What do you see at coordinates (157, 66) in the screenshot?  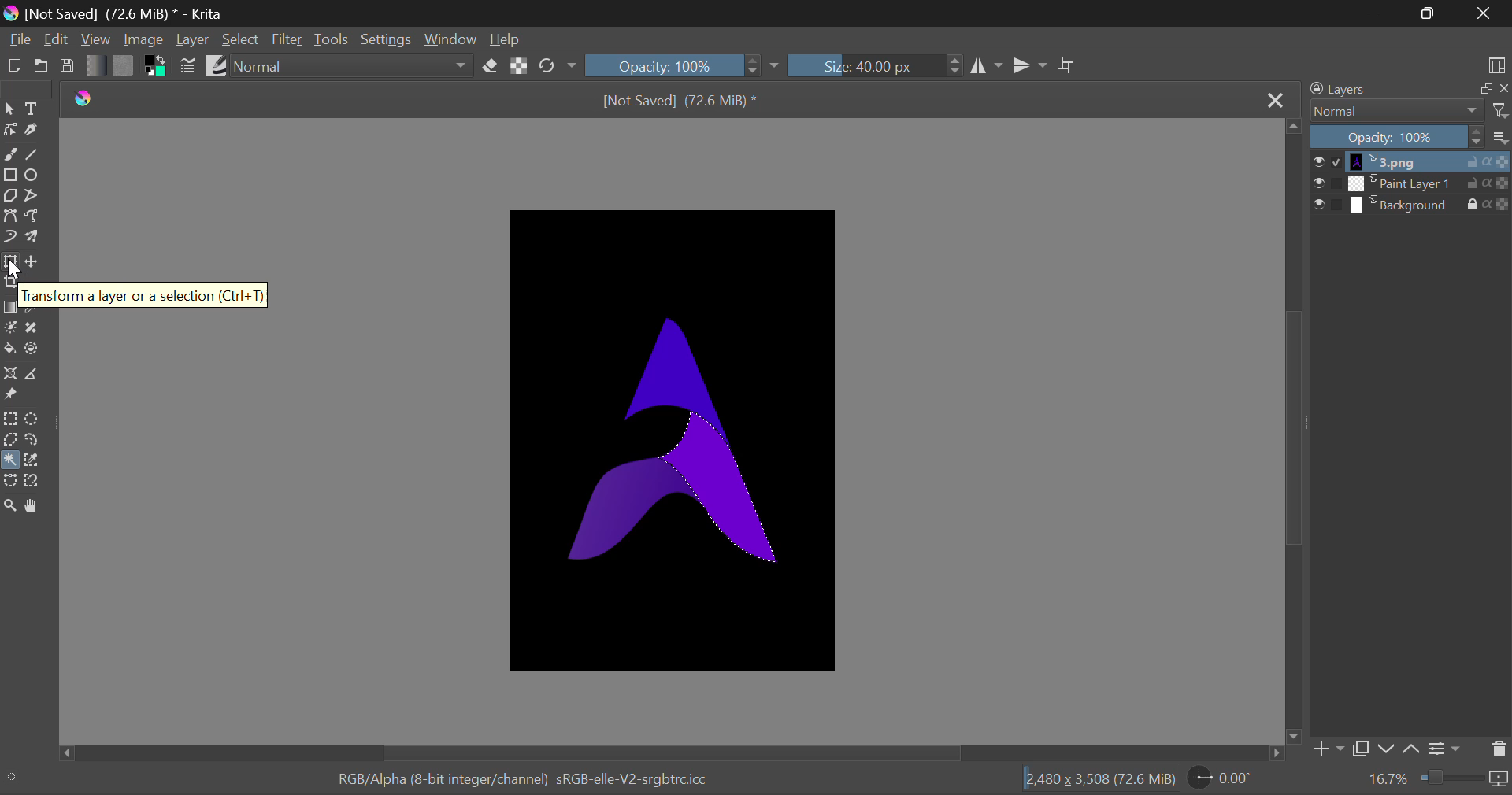 I see `Colors in use` at bounding box center [157, 66].